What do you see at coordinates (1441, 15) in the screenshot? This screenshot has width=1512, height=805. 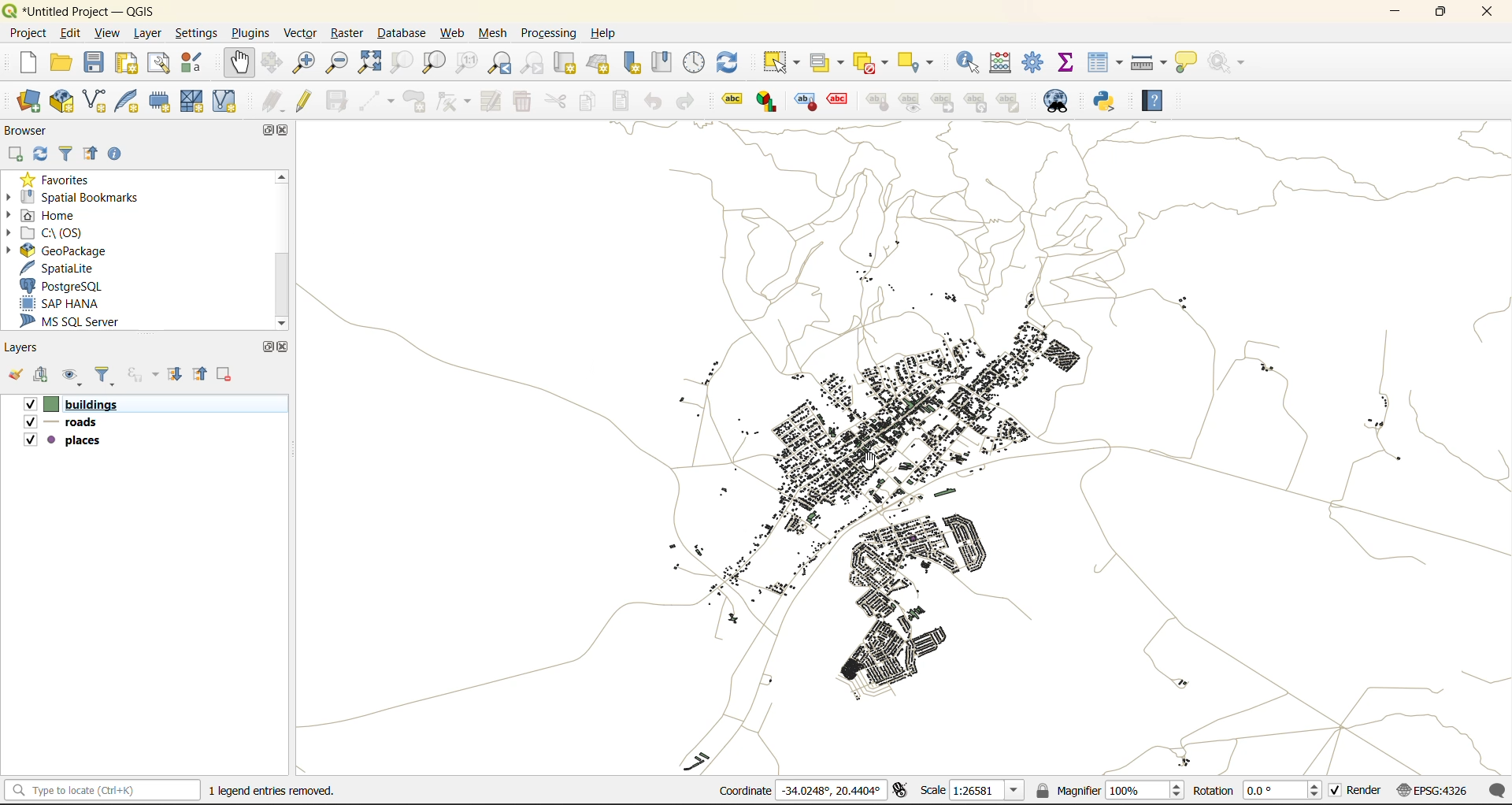 I see `maximize` at bounding box center [1441, 15].